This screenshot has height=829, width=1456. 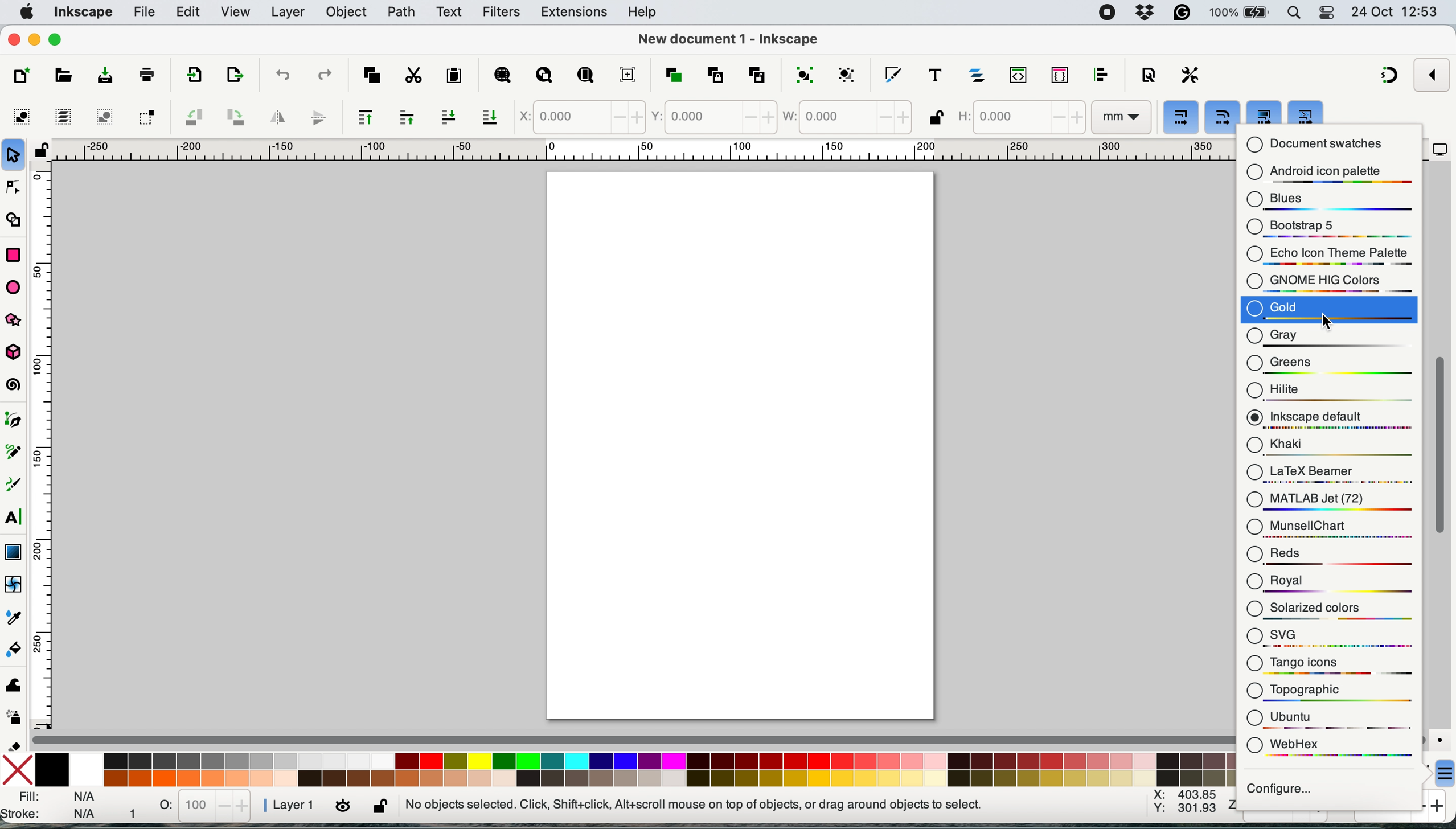 What do you see at coordinates (1332, 608) in the screenshot?
I see `solarized colors` at bounding box center [1332, 608].